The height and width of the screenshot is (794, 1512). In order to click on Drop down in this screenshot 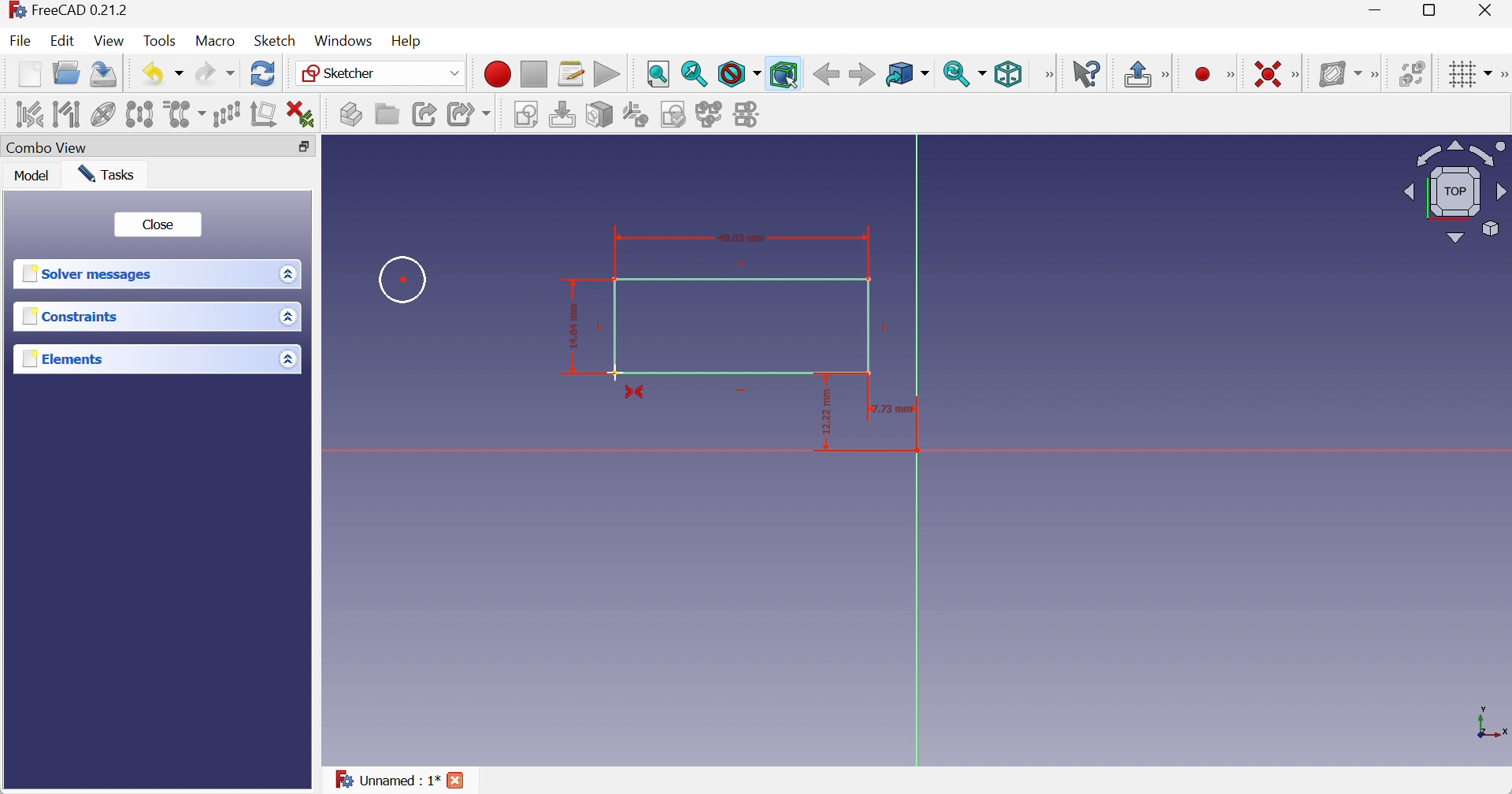, I will do `click(291, 273)`.